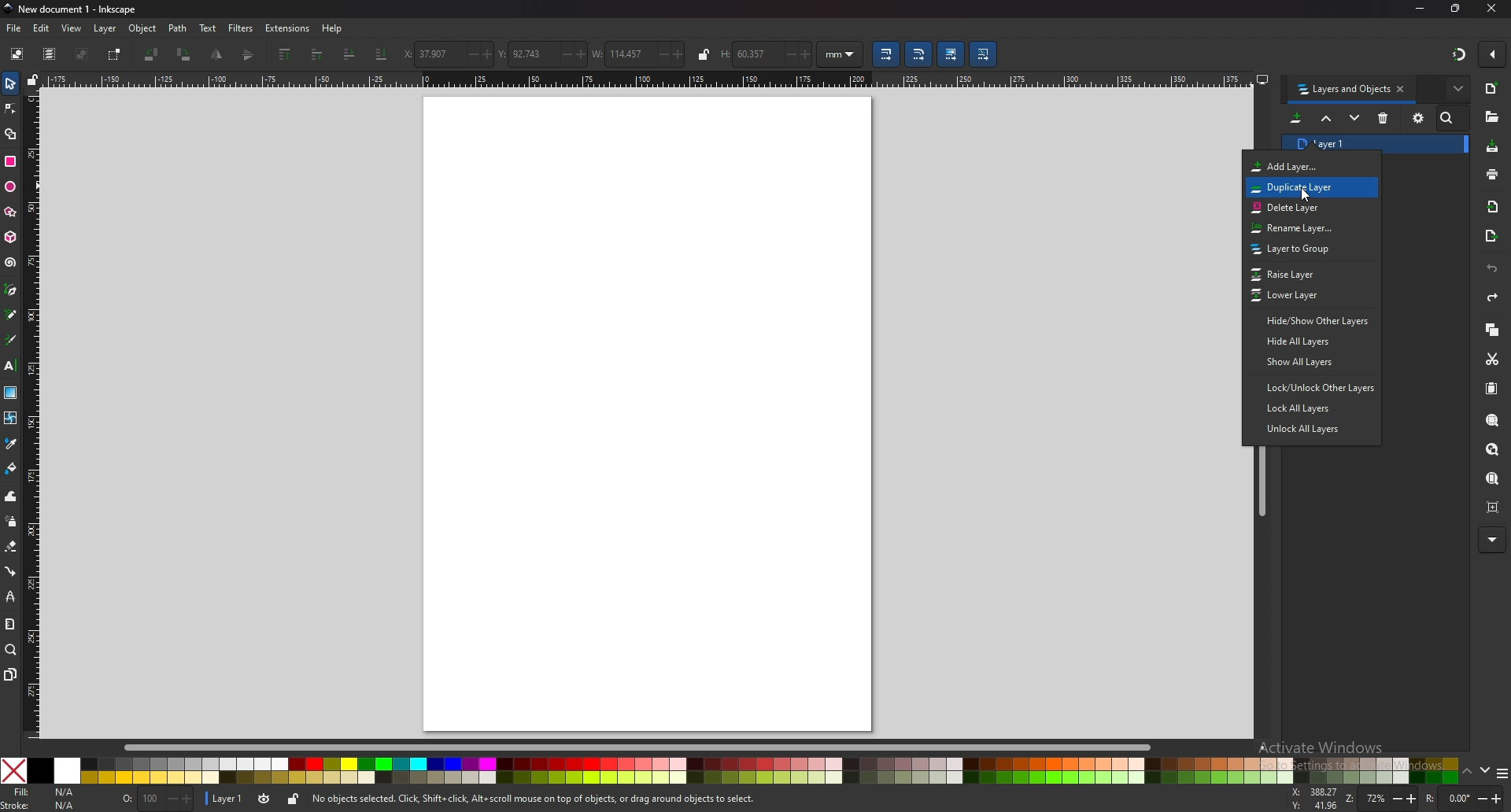 This screenshot has height=812, width=1511. Describe the element at coordinates (12, 548) in the screenshot. I see `erase` at that location.